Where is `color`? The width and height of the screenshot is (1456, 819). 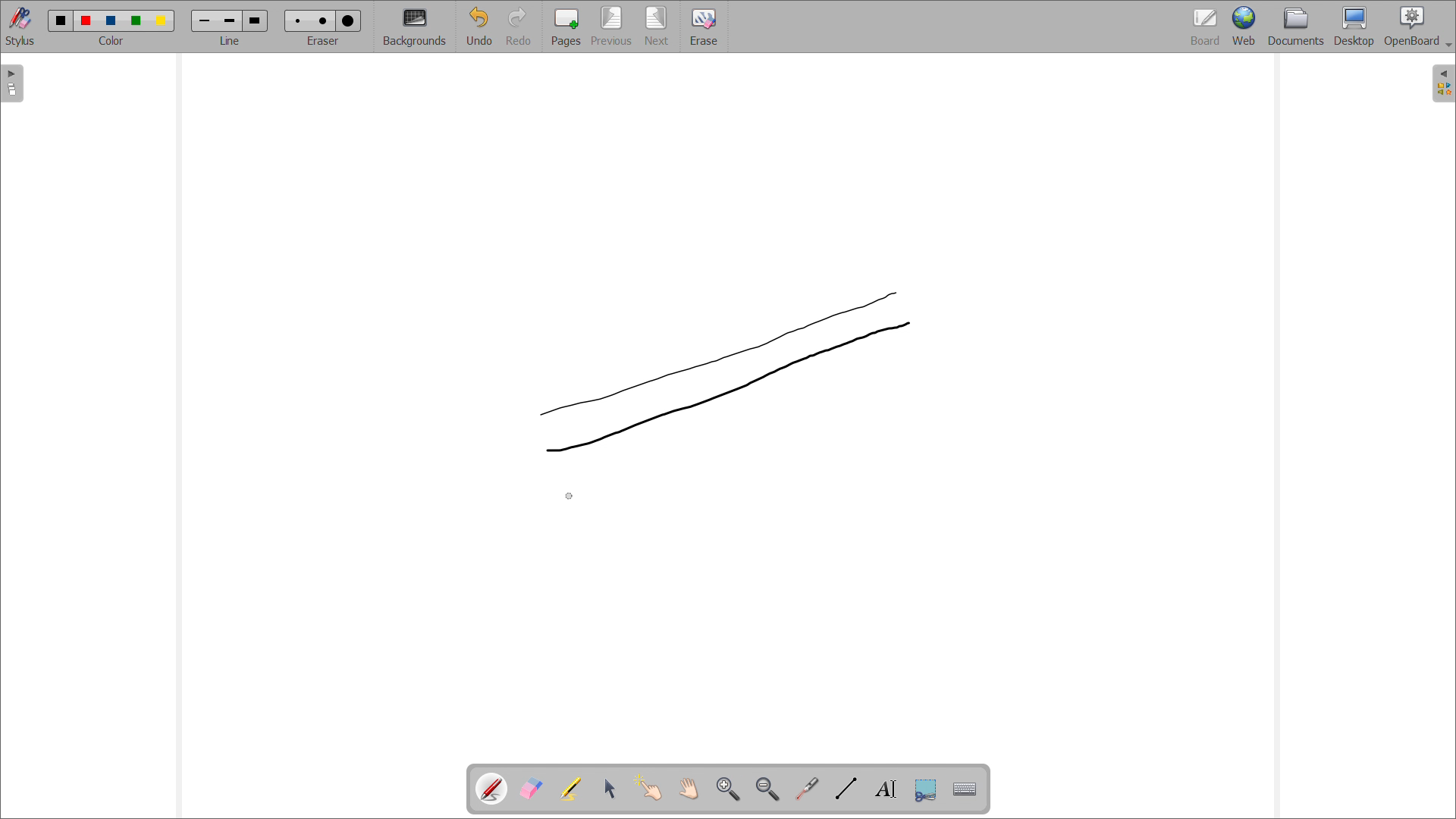
color is located at coordinates (114, 20).